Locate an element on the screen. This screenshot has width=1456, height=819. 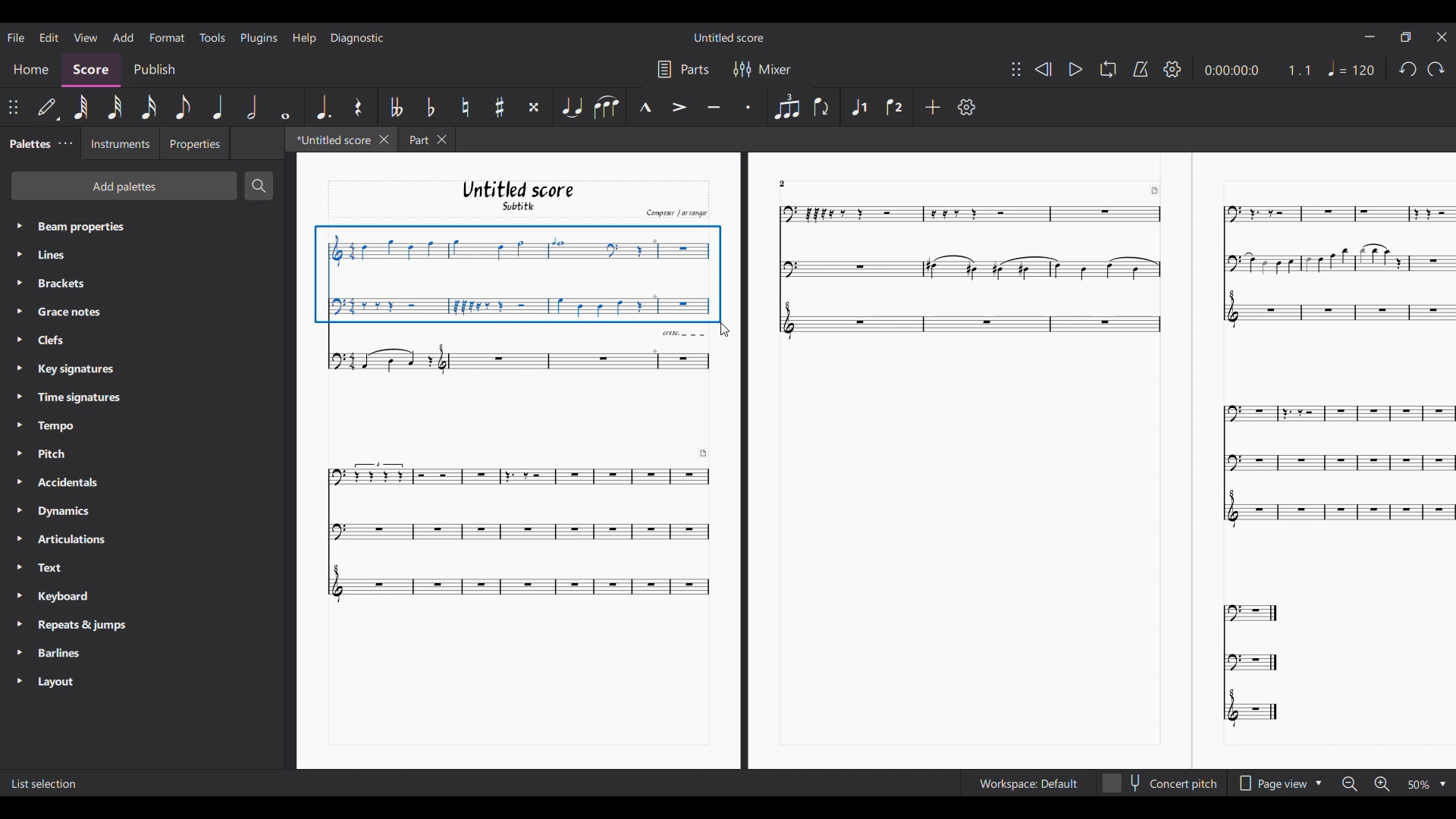
 is located at coordinates (21, 428).